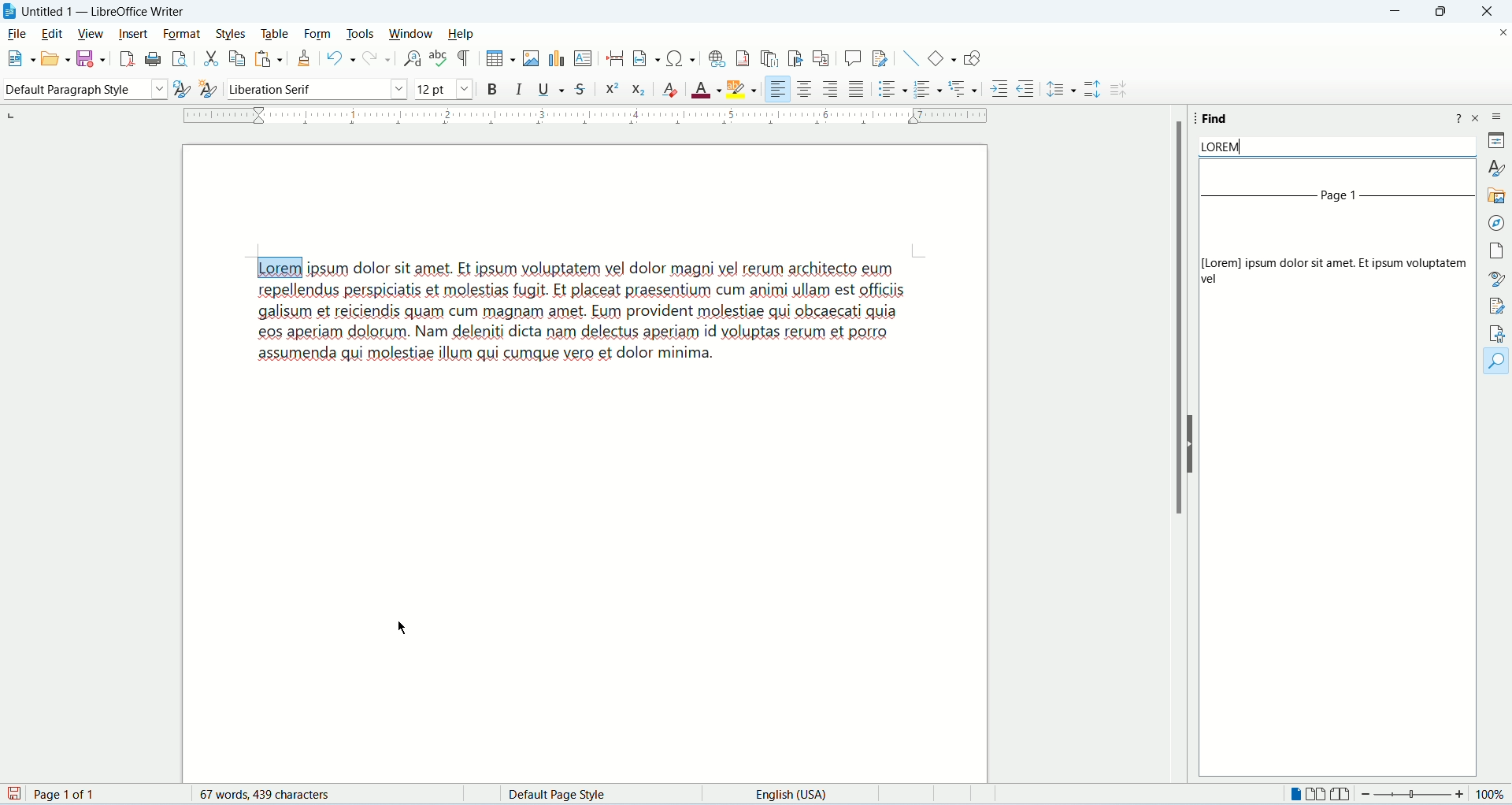 Image resolution: width=1512 pixels, height=805 pixels. I want to click on page, so click(587, 593).